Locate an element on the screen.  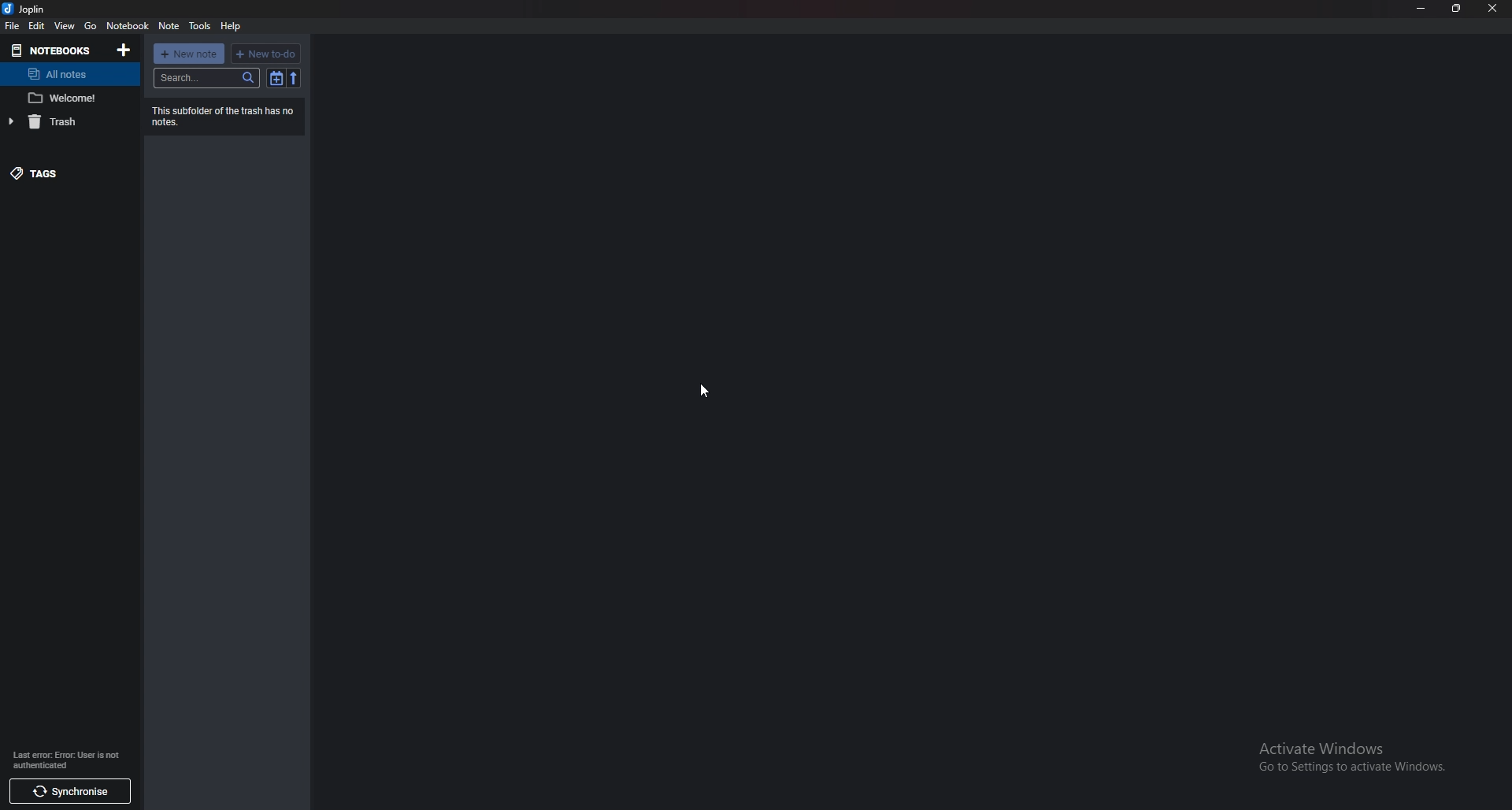
Tools is located at coordinates (201, 26).